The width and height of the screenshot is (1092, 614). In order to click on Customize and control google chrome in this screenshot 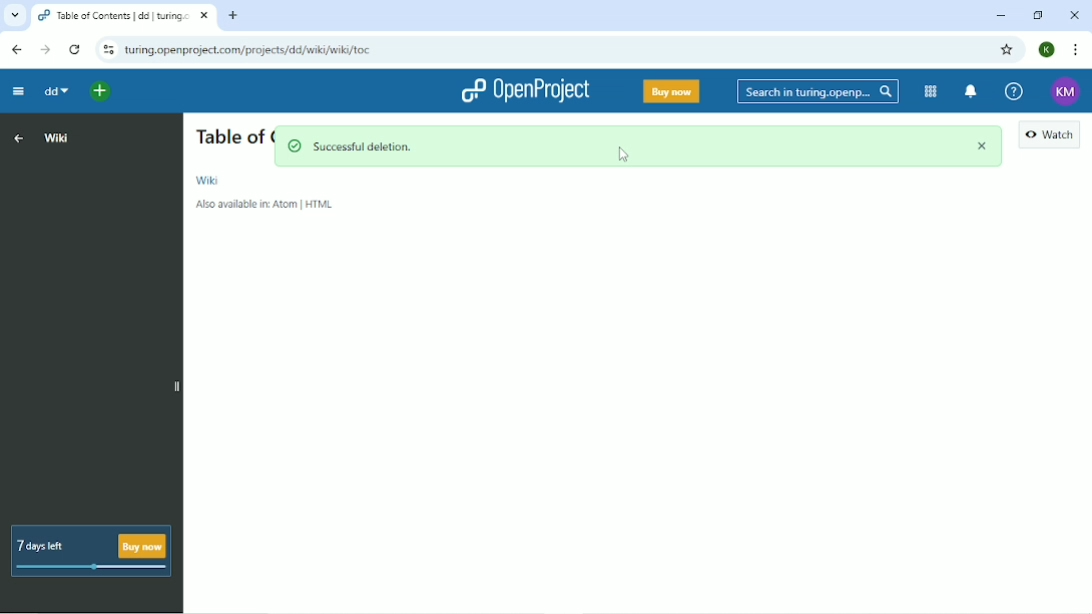, I will do `click(1074, 50)`.